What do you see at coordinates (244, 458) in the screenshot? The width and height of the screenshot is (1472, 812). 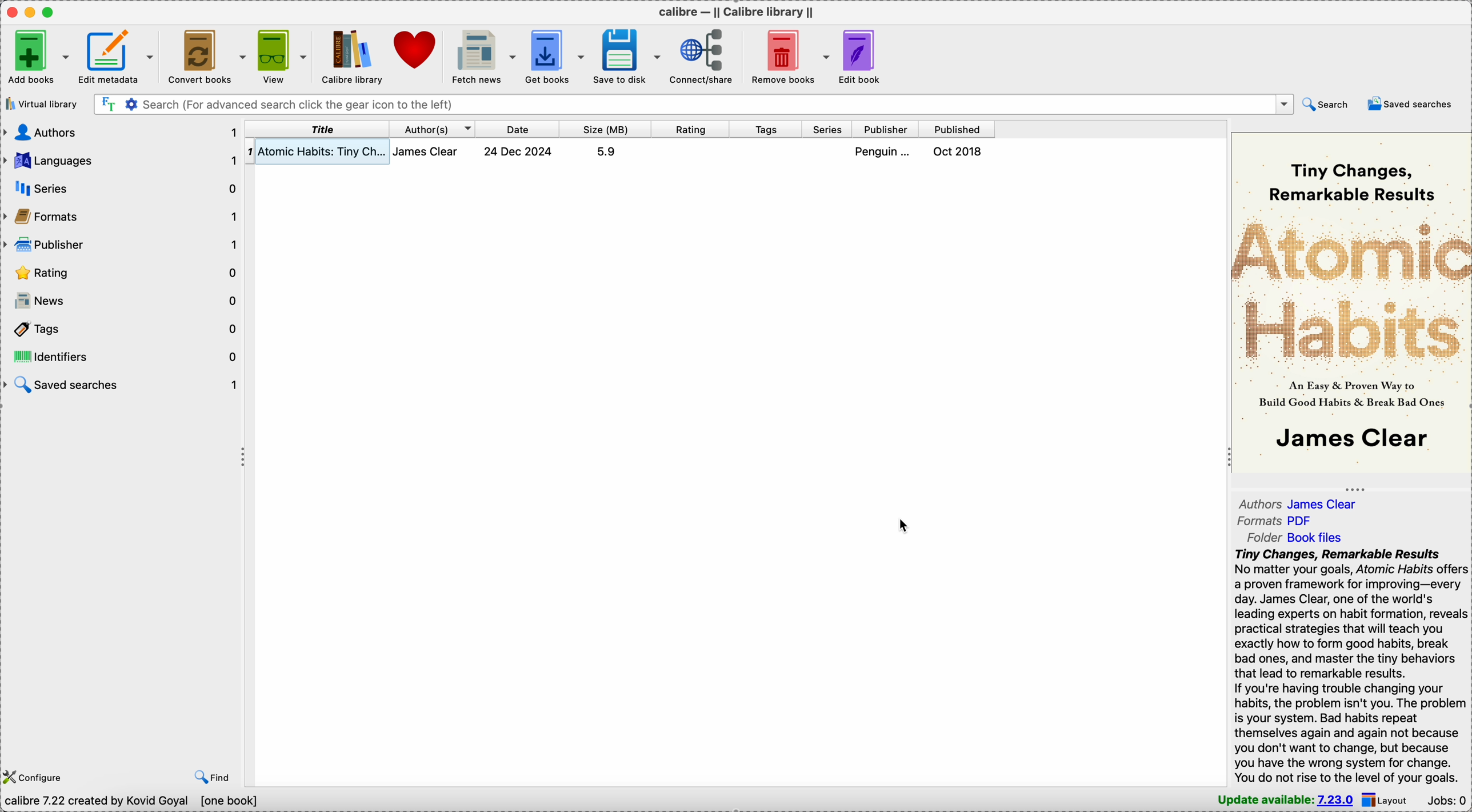 I see `toggle expand/contract` at bounding box center [244, 458].